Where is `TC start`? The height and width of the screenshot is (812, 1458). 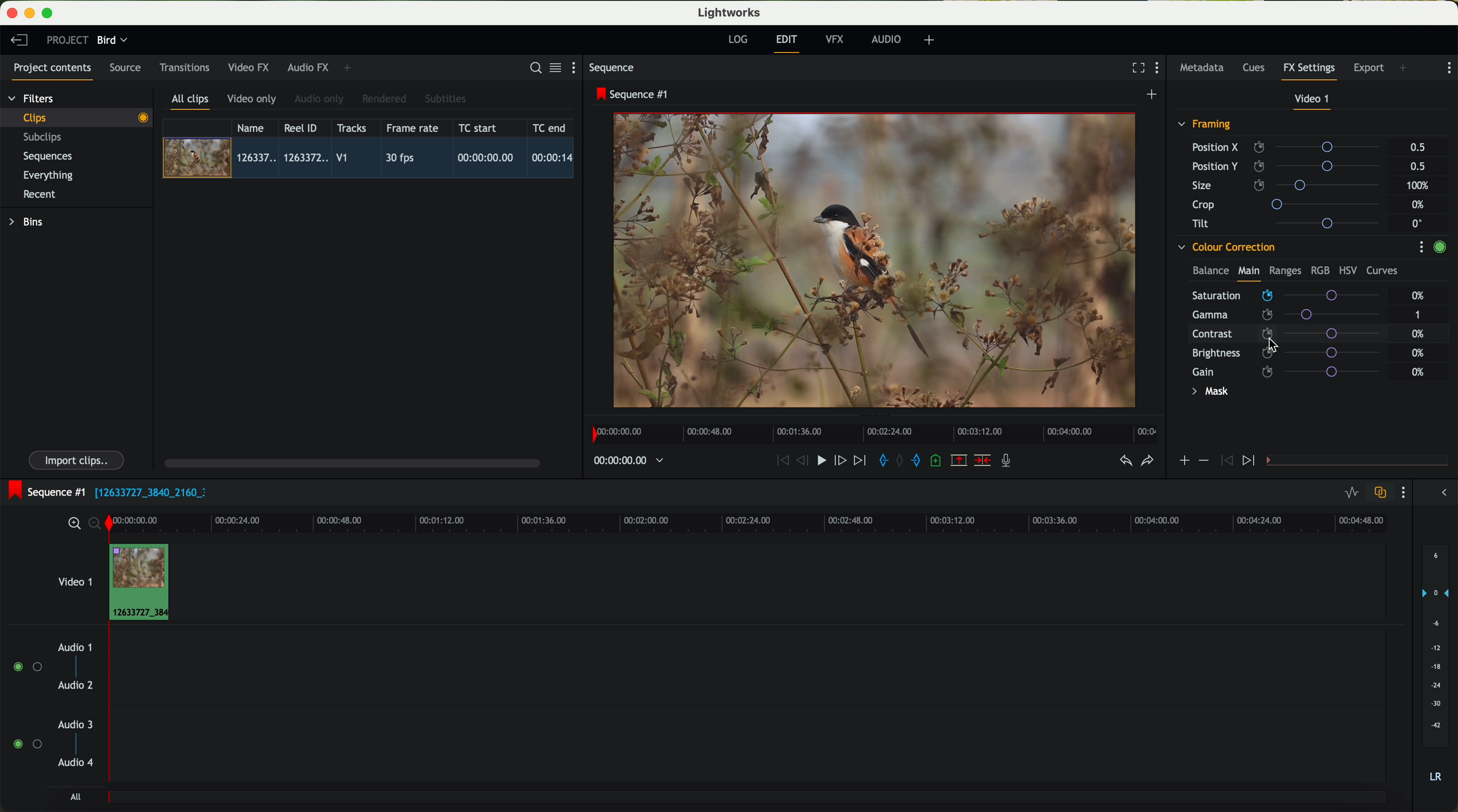 TC start is located at coordinates (479, 127).